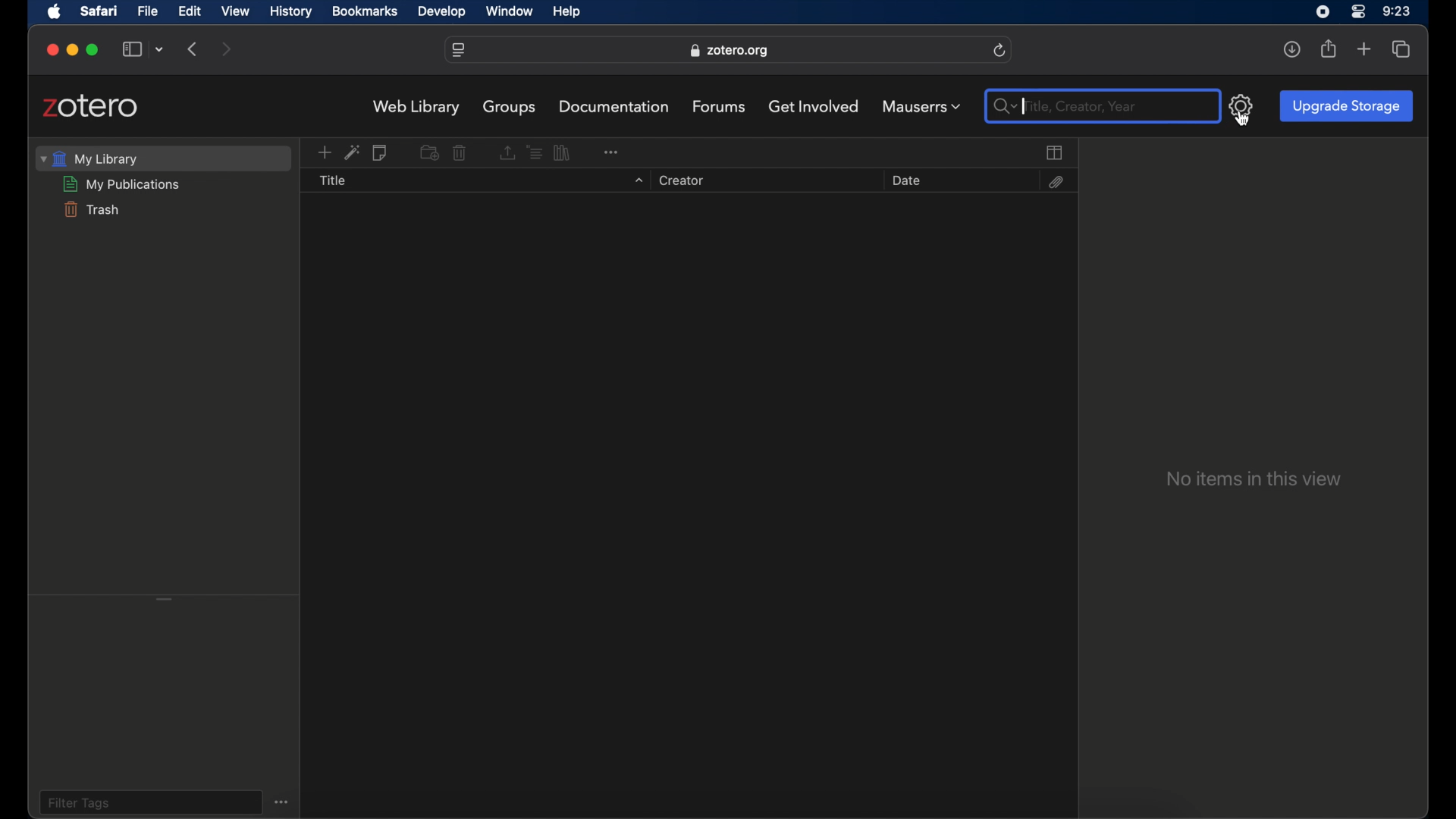 The image size is (1456, 819). I want to click on groups, so click(510, 107).